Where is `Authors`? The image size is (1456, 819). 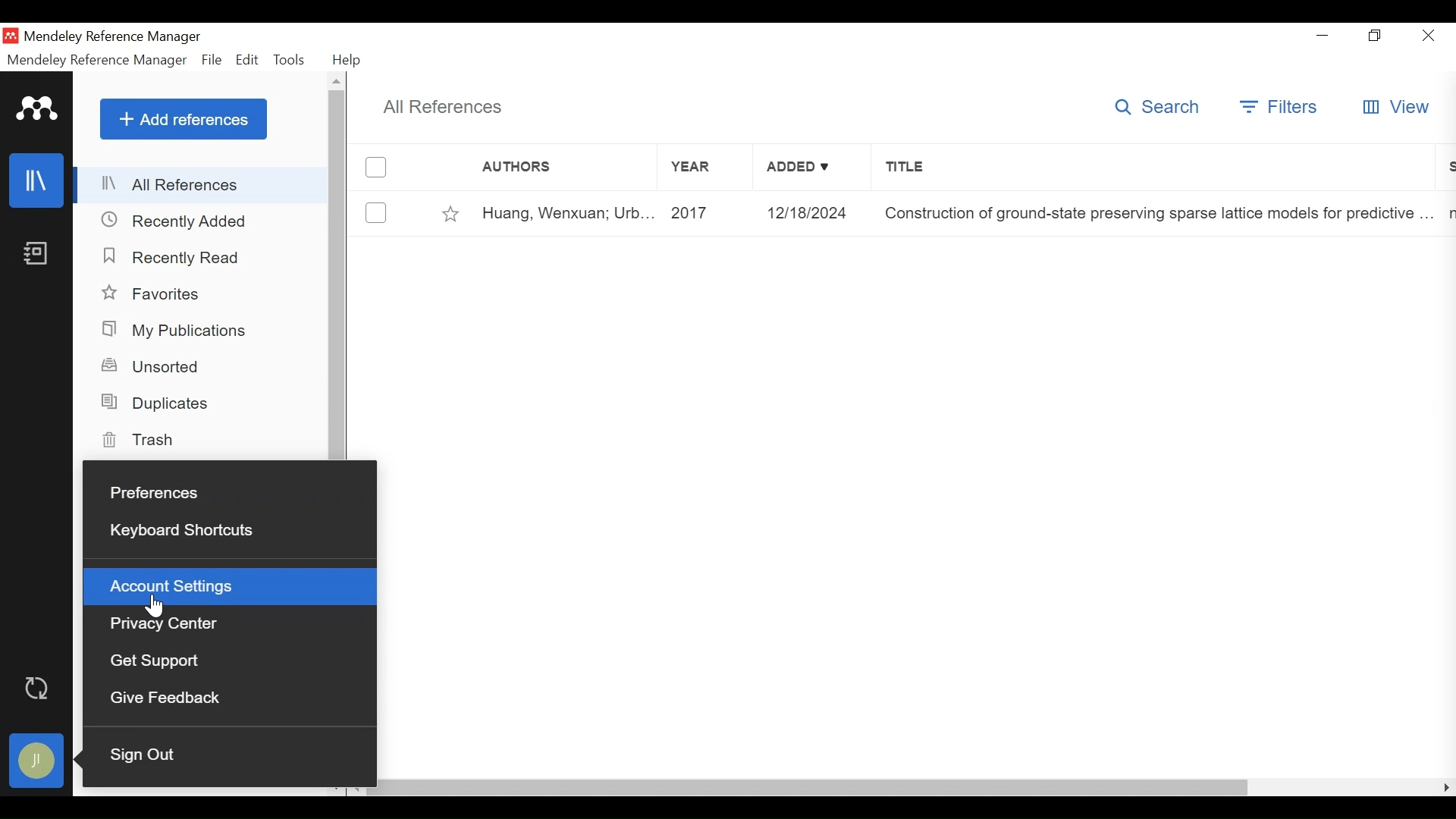 Authors is located at coordinates (557, 171).